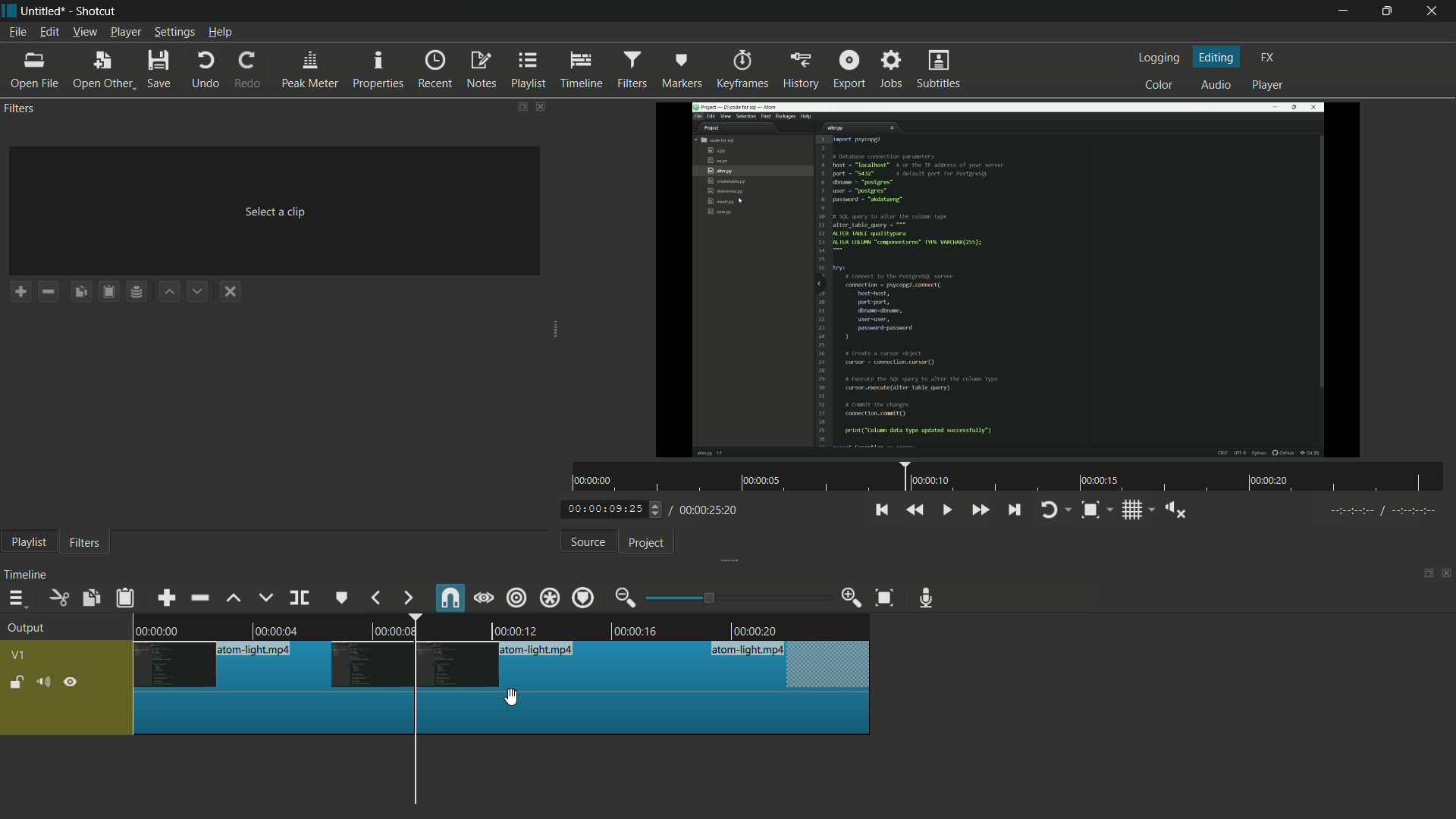  What do you see at coordinates (1097, 510) in the screenshot?
I see `zoom timeline to fit` at bounding box center [1097, 510].